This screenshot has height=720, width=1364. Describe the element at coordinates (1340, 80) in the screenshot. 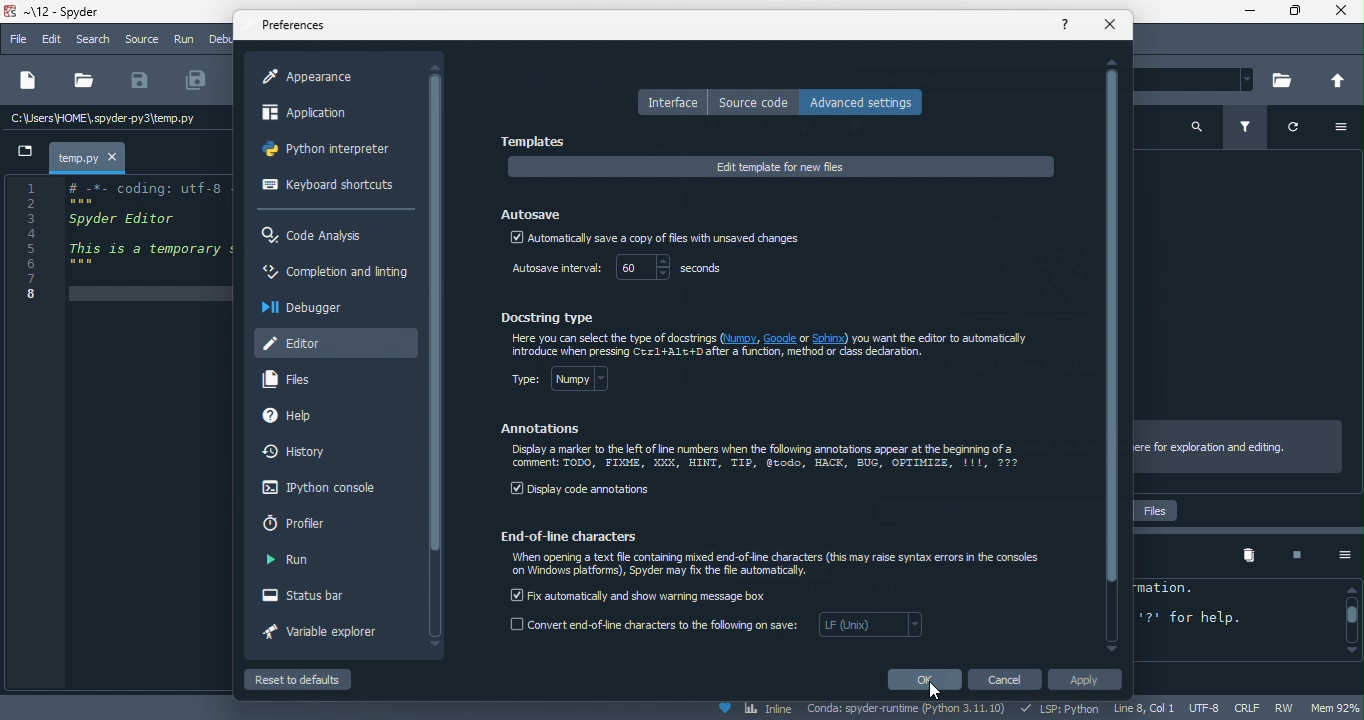

I see `` at that location.